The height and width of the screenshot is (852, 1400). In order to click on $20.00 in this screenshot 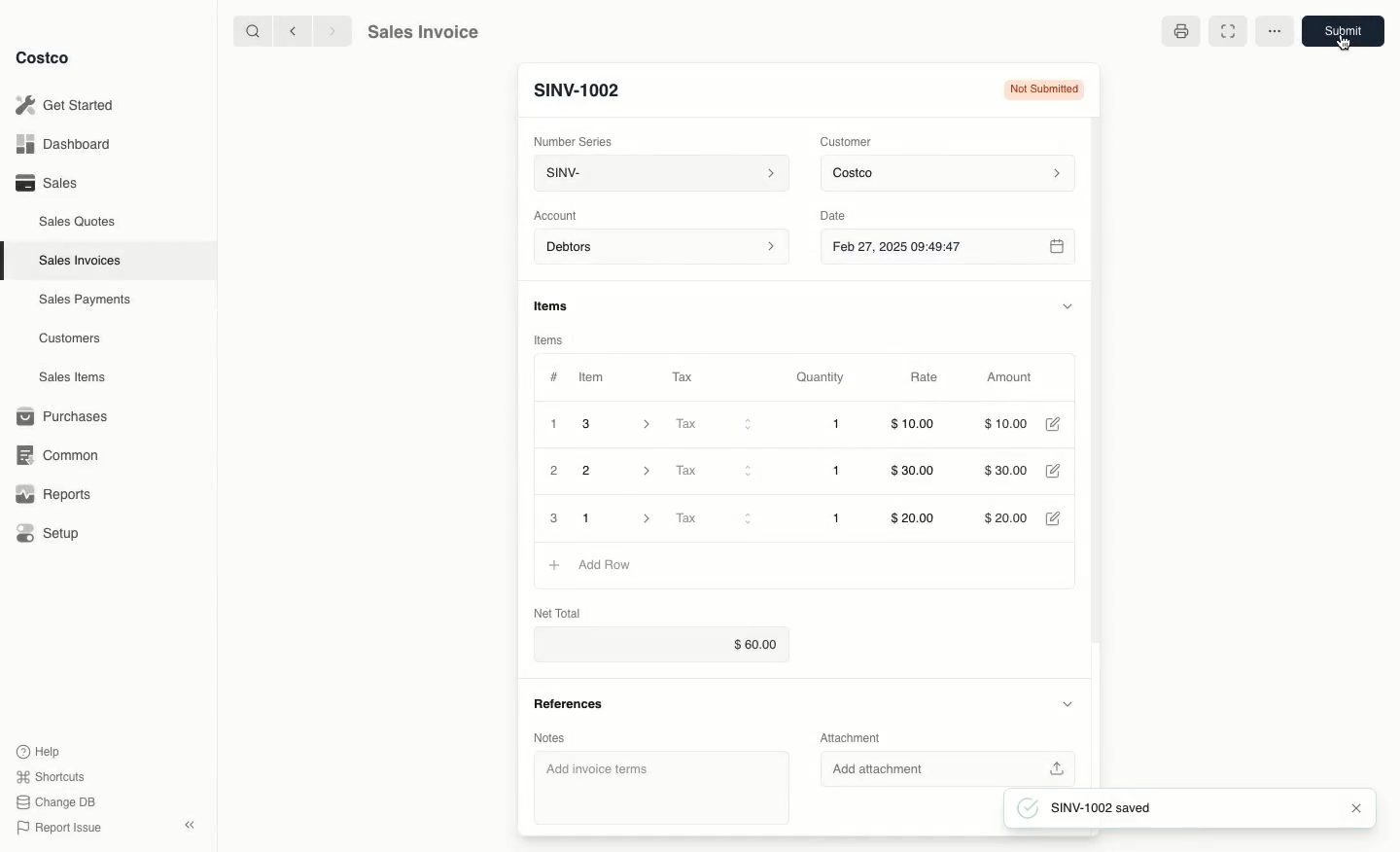, I will do `click(1009, 516)`.